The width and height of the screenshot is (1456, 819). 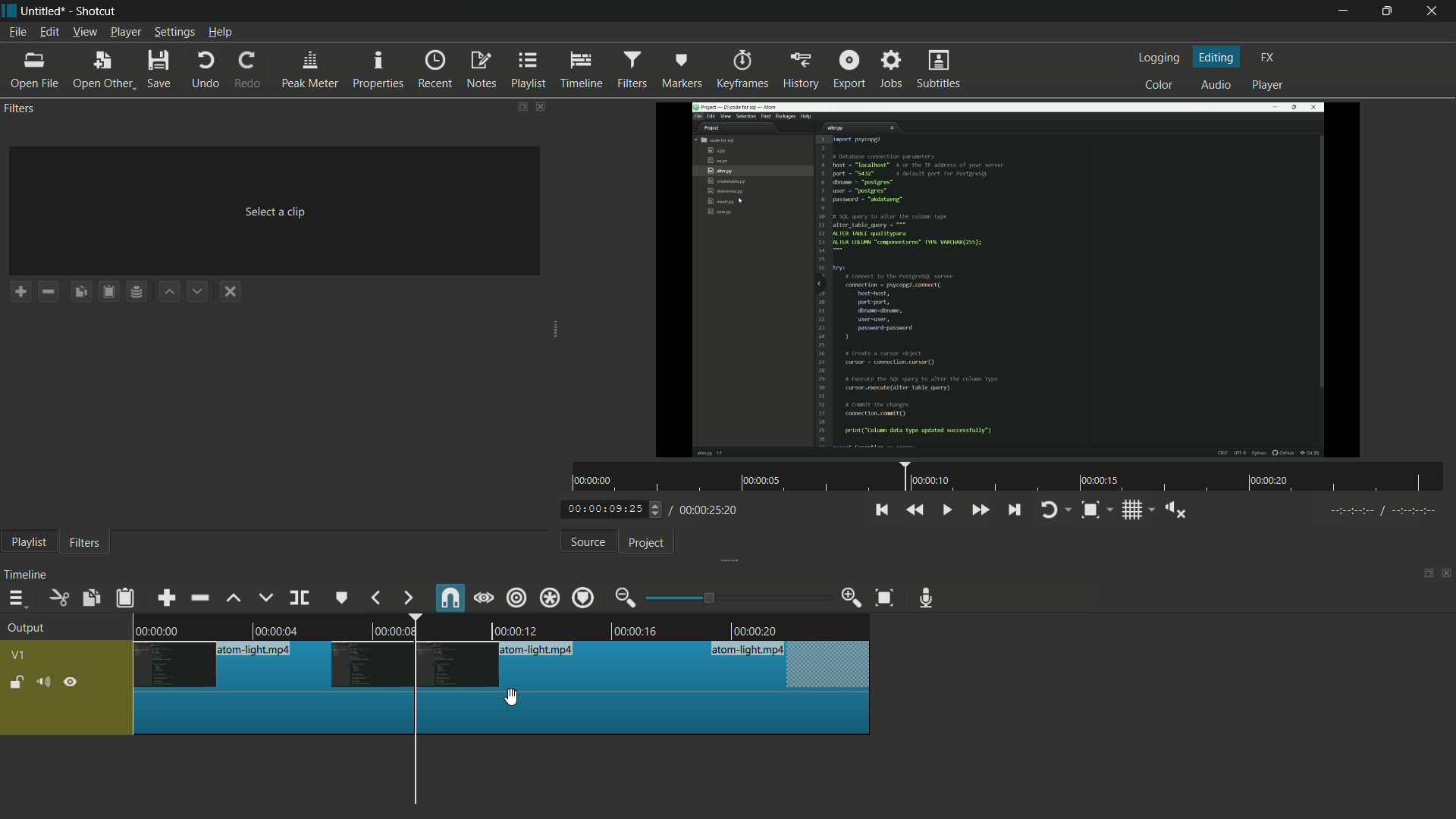 I want to click on cut, so click(x=60, y=598).